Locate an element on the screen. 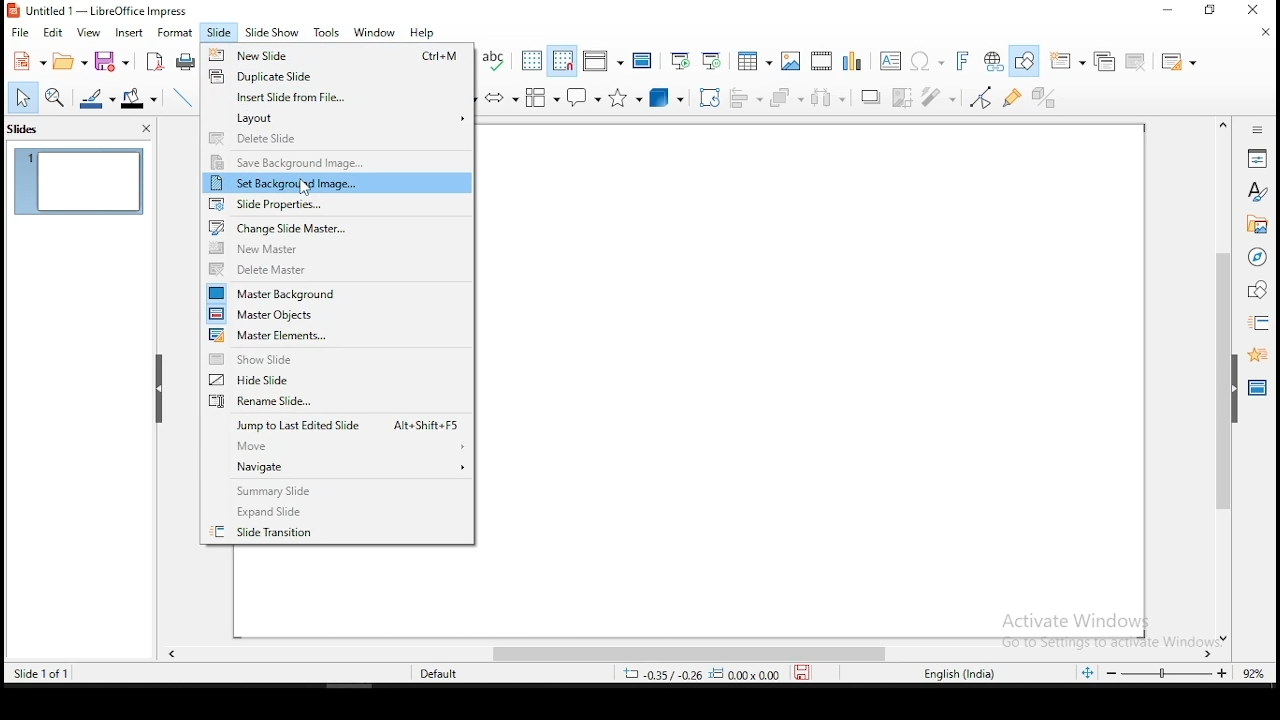 This screenshot has height=720, width=1280. zoom level is located at coordinates (1251, 673).